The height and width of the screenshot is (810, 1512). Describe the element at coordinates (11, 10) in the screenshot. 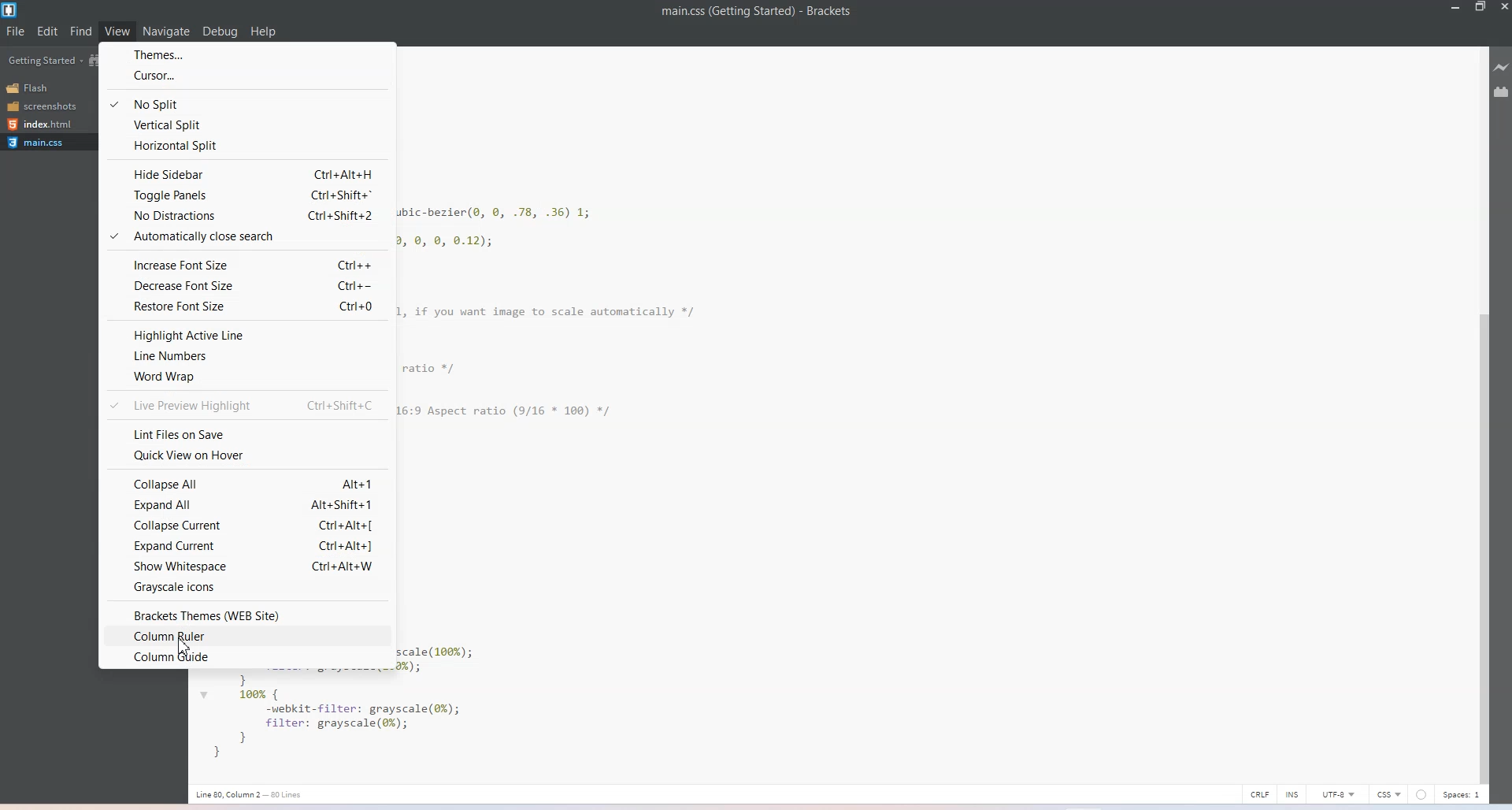

I see `Logo` at that location.